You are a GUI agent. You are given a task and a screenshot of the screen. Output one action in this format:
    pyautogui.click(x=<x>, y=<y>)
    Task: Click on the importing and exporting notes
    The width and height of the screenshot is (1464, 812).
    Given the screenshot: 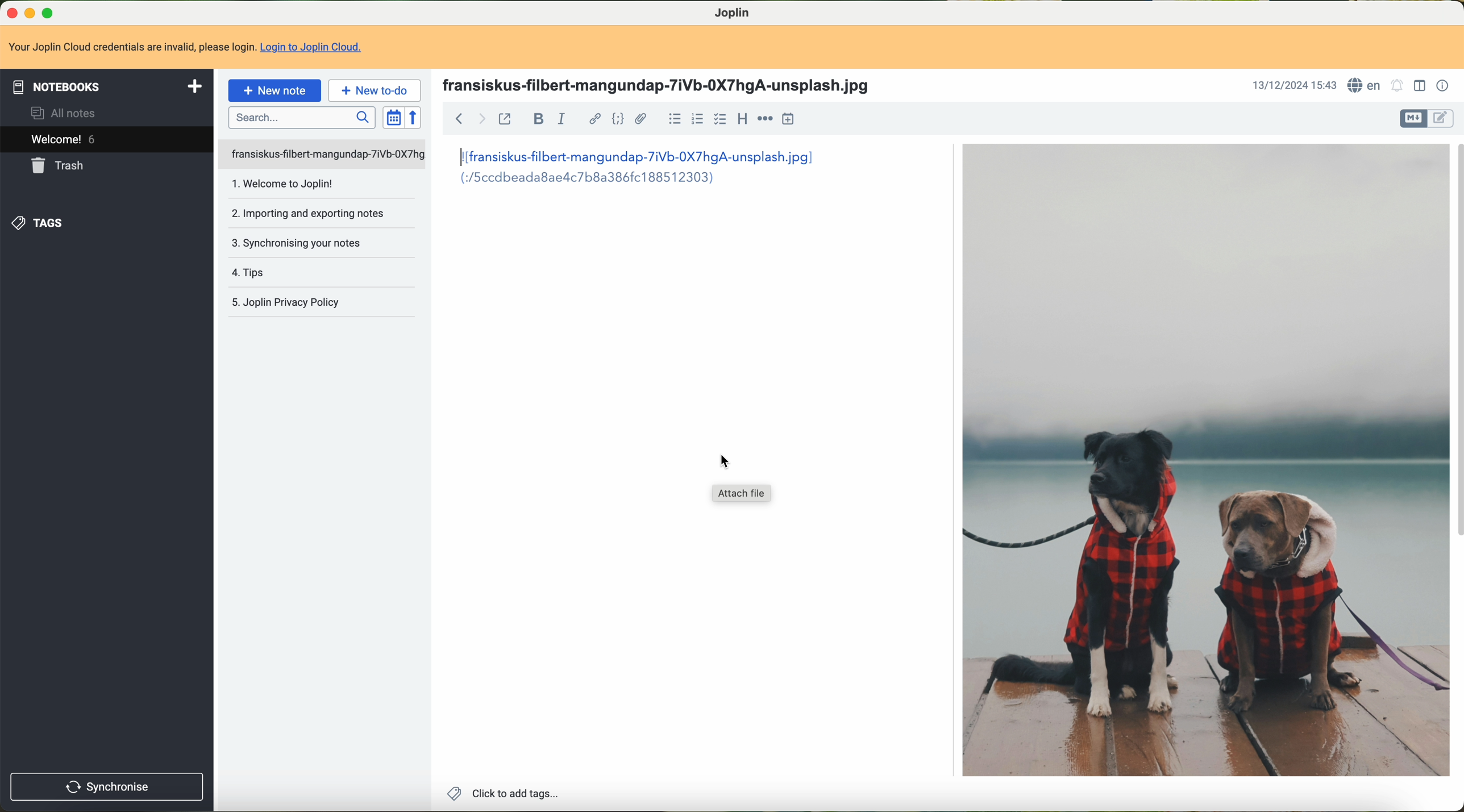 What is the action you would take?
    pyautogui.click(x=306, y=213)
    